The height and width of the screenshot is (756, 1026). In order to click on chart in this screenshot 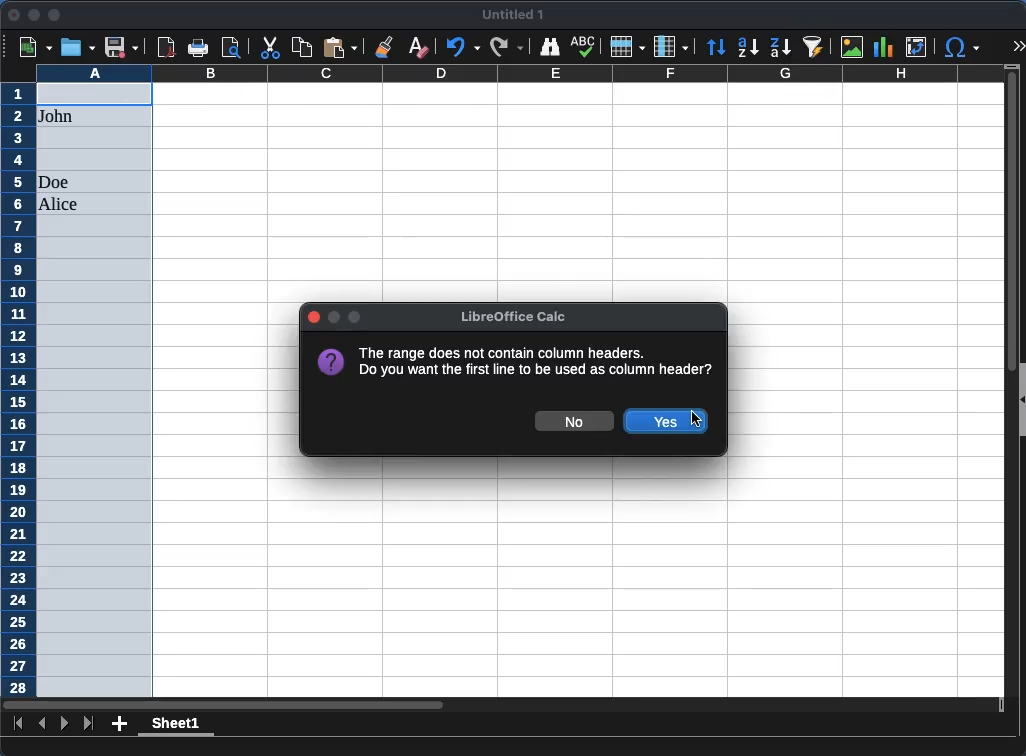, I will do `click(883, 47)`.